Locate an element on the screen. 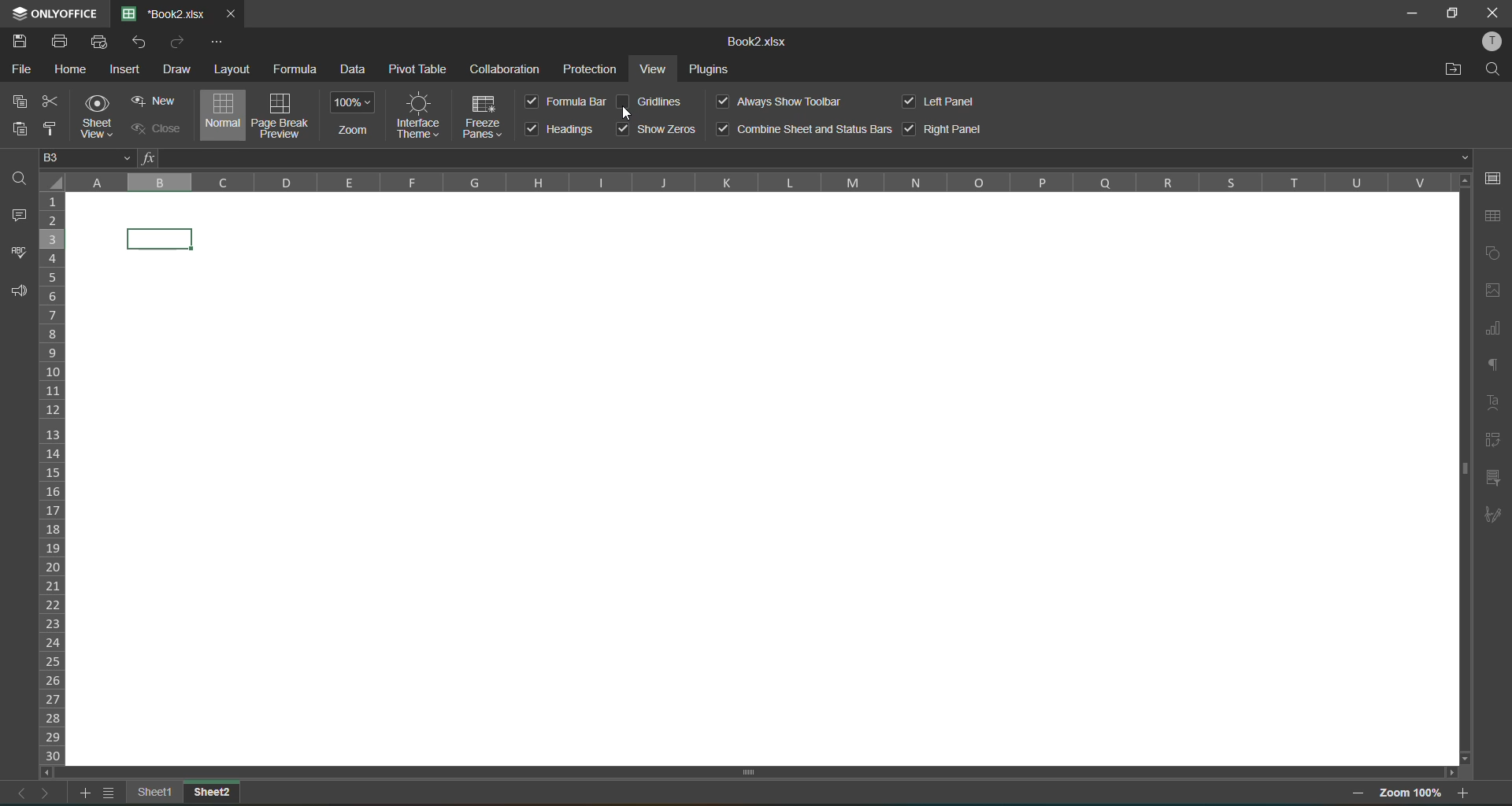  next is located at coordinates (47, 793).